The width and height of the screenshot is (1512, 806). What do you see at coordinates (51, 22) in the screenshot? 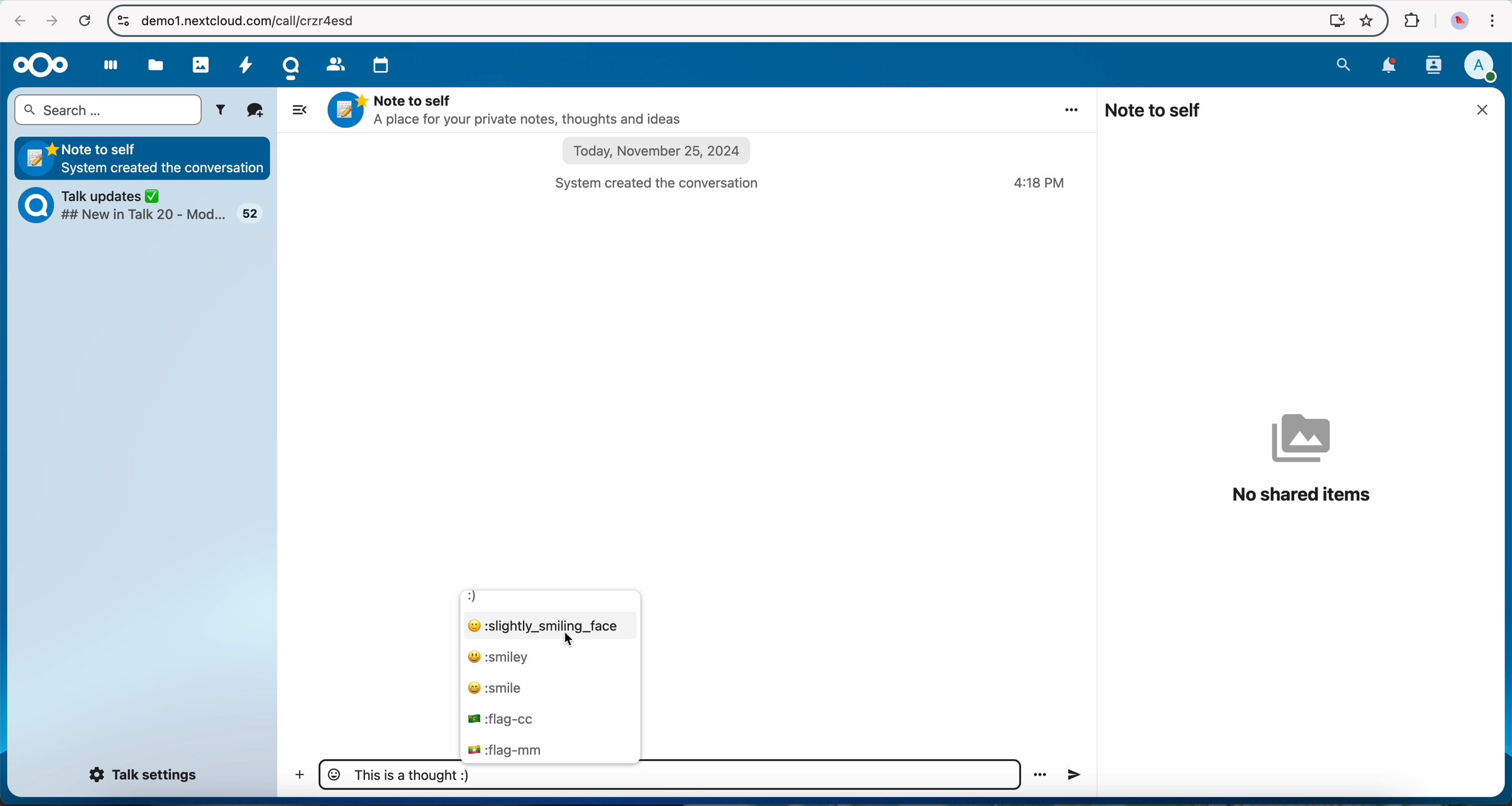
I see `navigate foward` at bounding box center [51, 22].